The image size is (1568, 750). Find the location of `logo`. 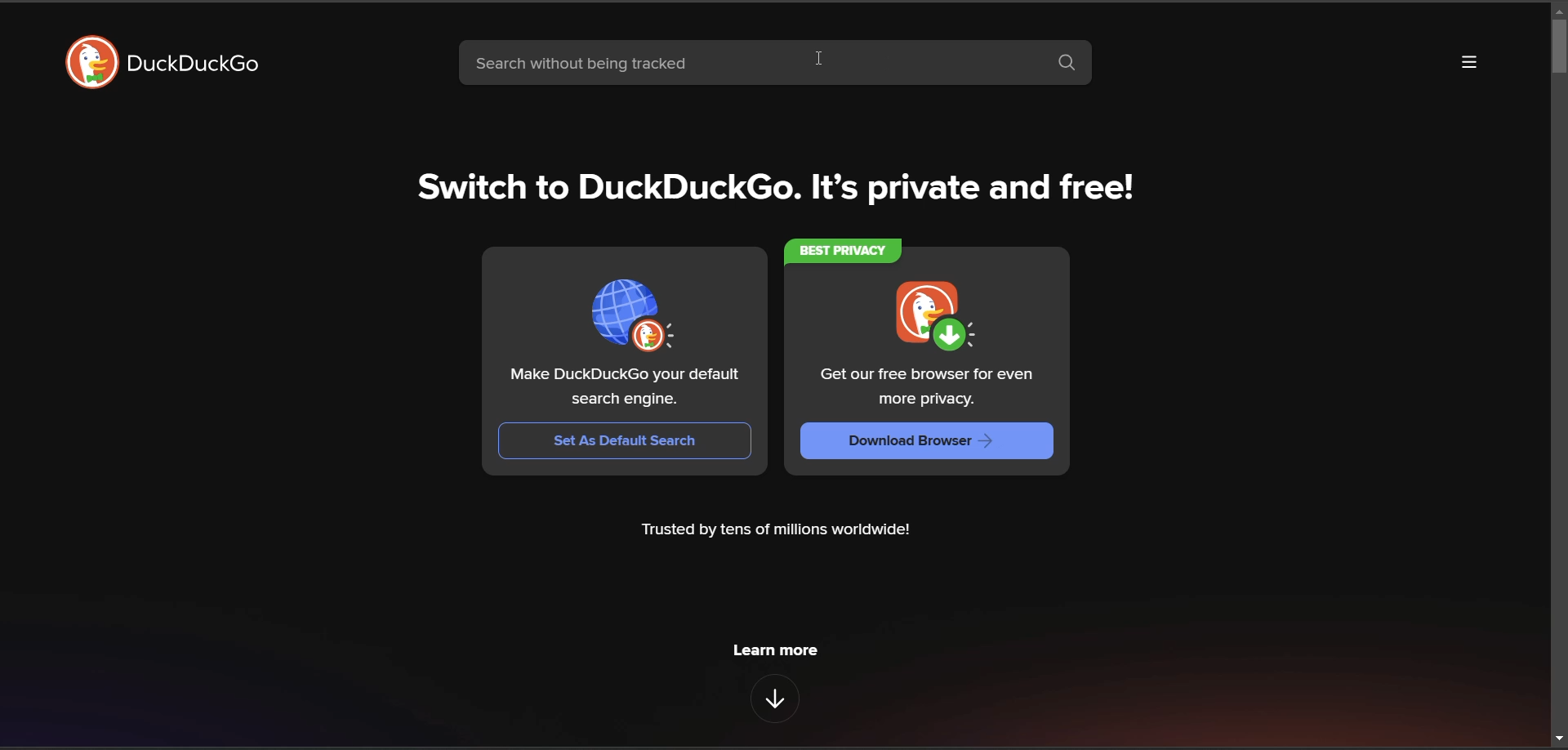

logo is located at coordinates (934, 314).